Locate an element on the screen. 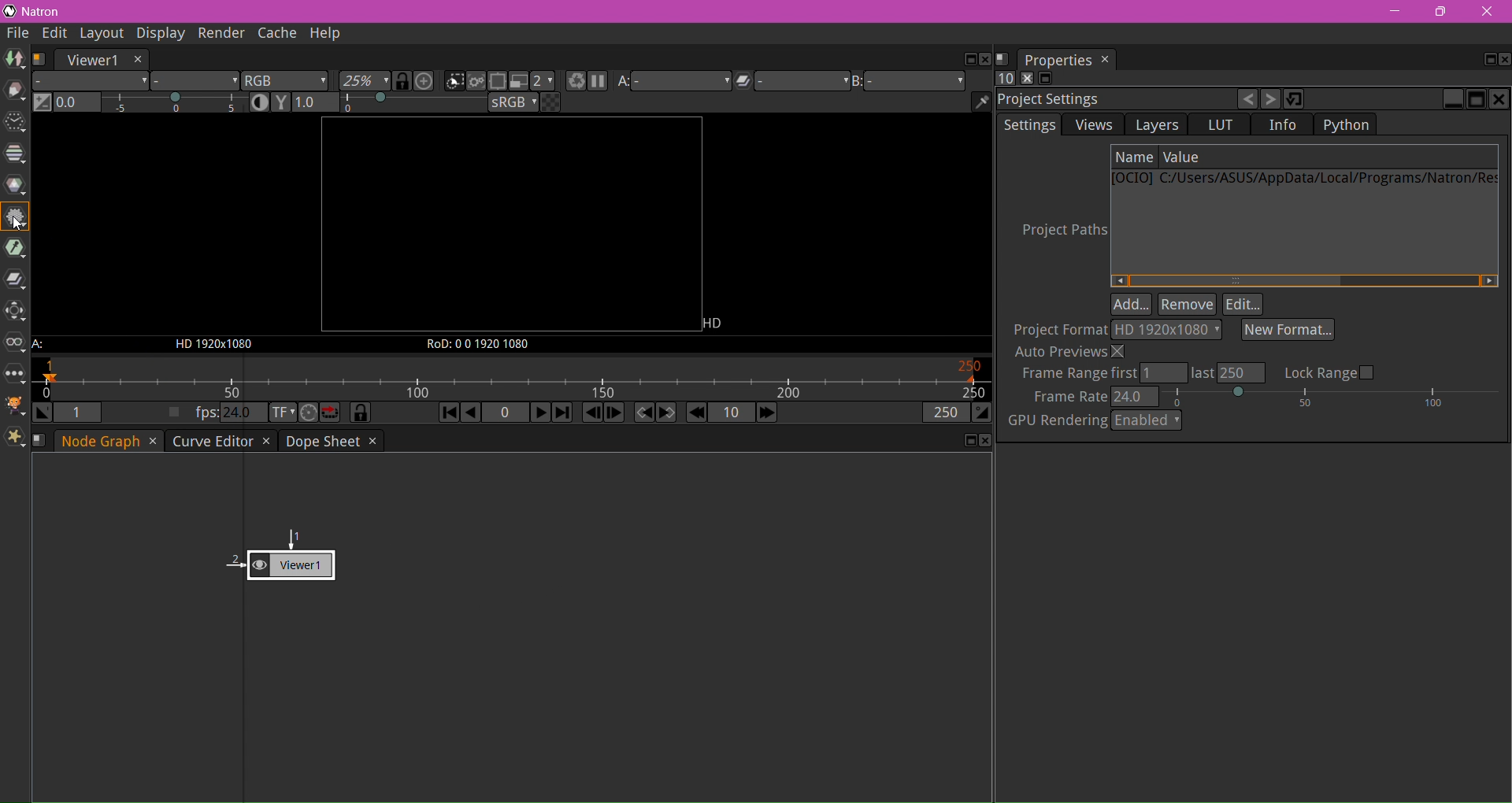  Viewer 1 is located at coordinates (265, 557).